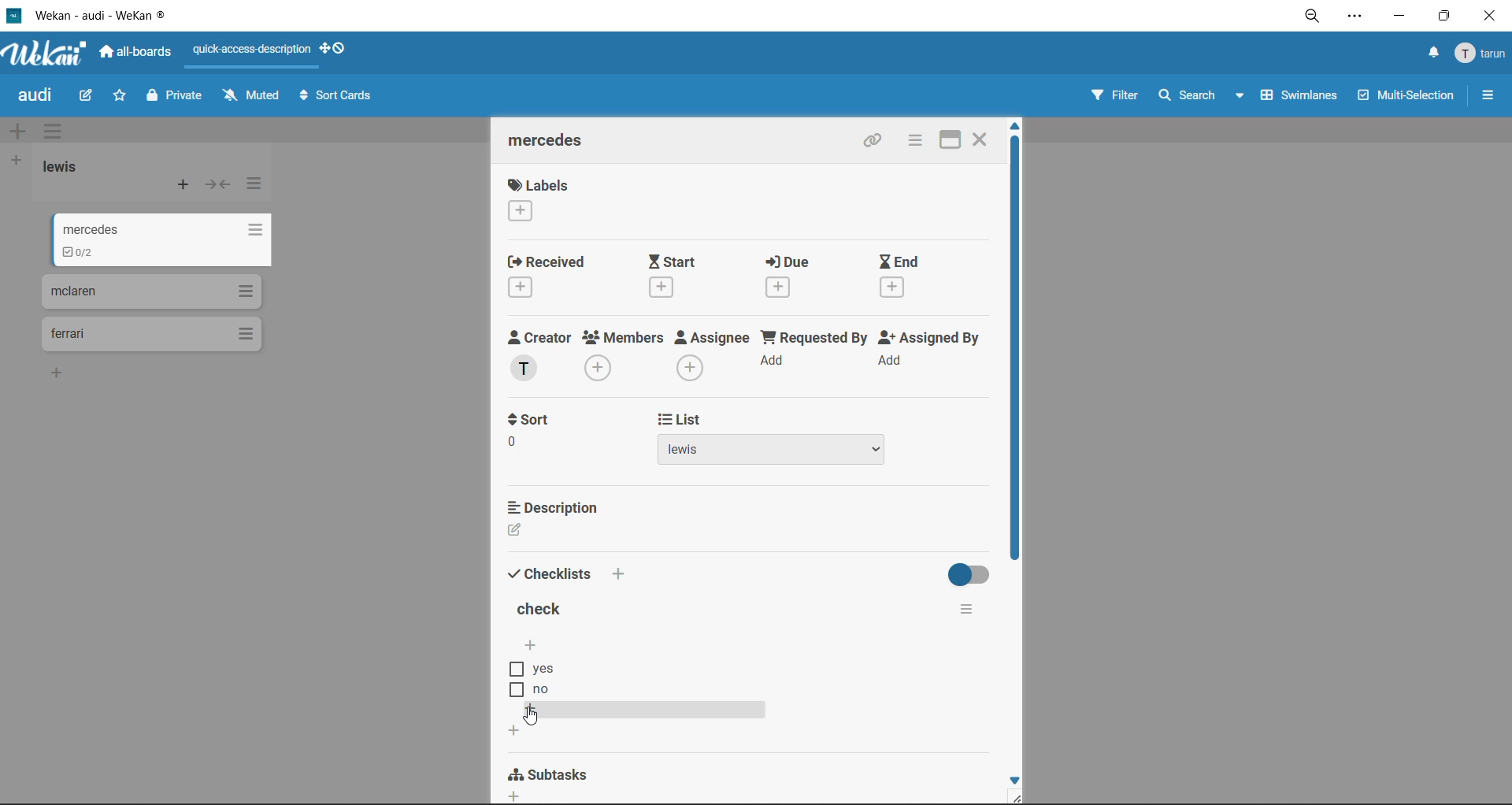  What do you see at coordinates (600, 369) in the screenshot?
I see `Add Member` at bounding box center [600, 369].